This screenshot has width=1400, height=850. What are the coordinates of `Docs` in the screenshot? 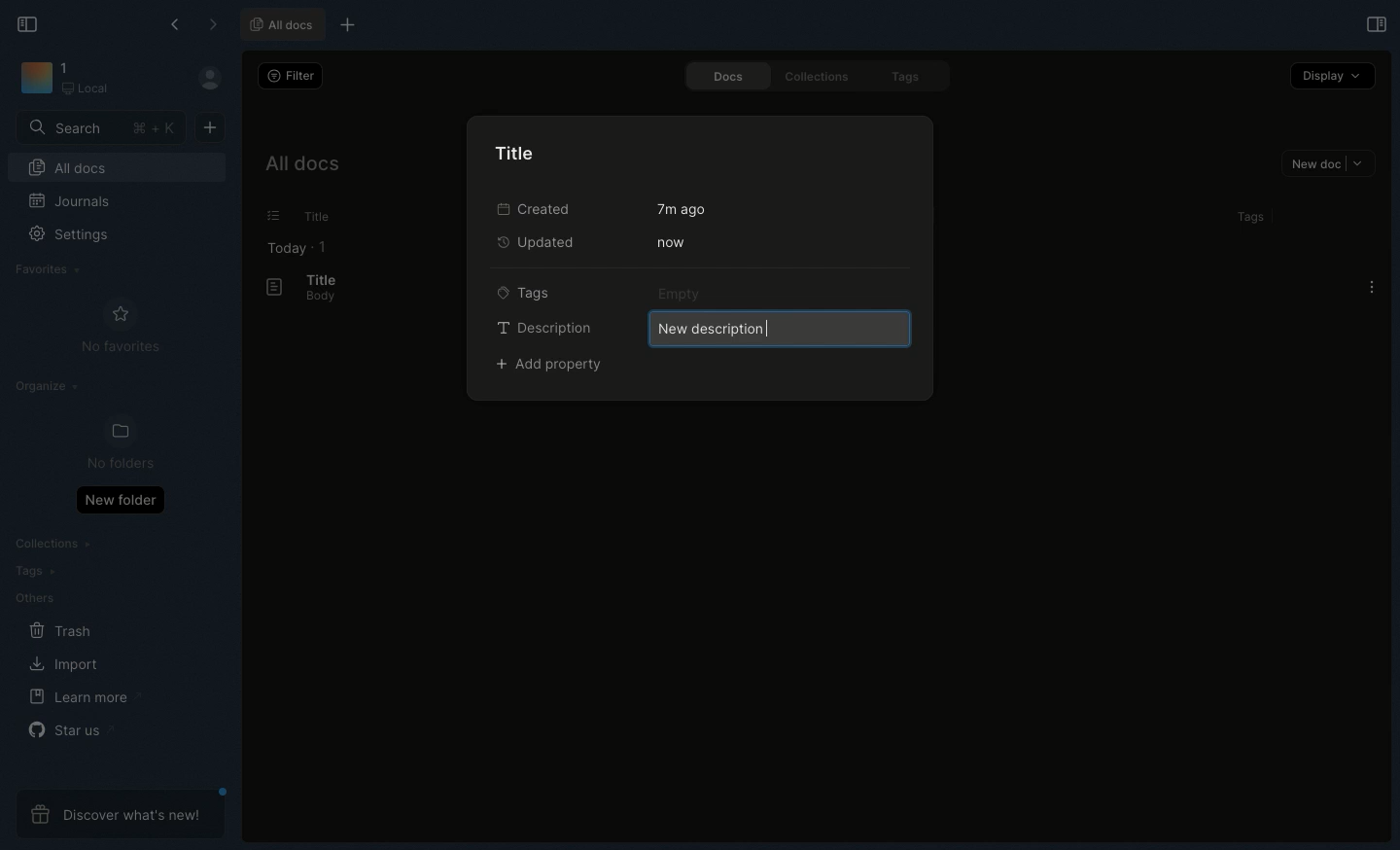 It's located at (720, 76).